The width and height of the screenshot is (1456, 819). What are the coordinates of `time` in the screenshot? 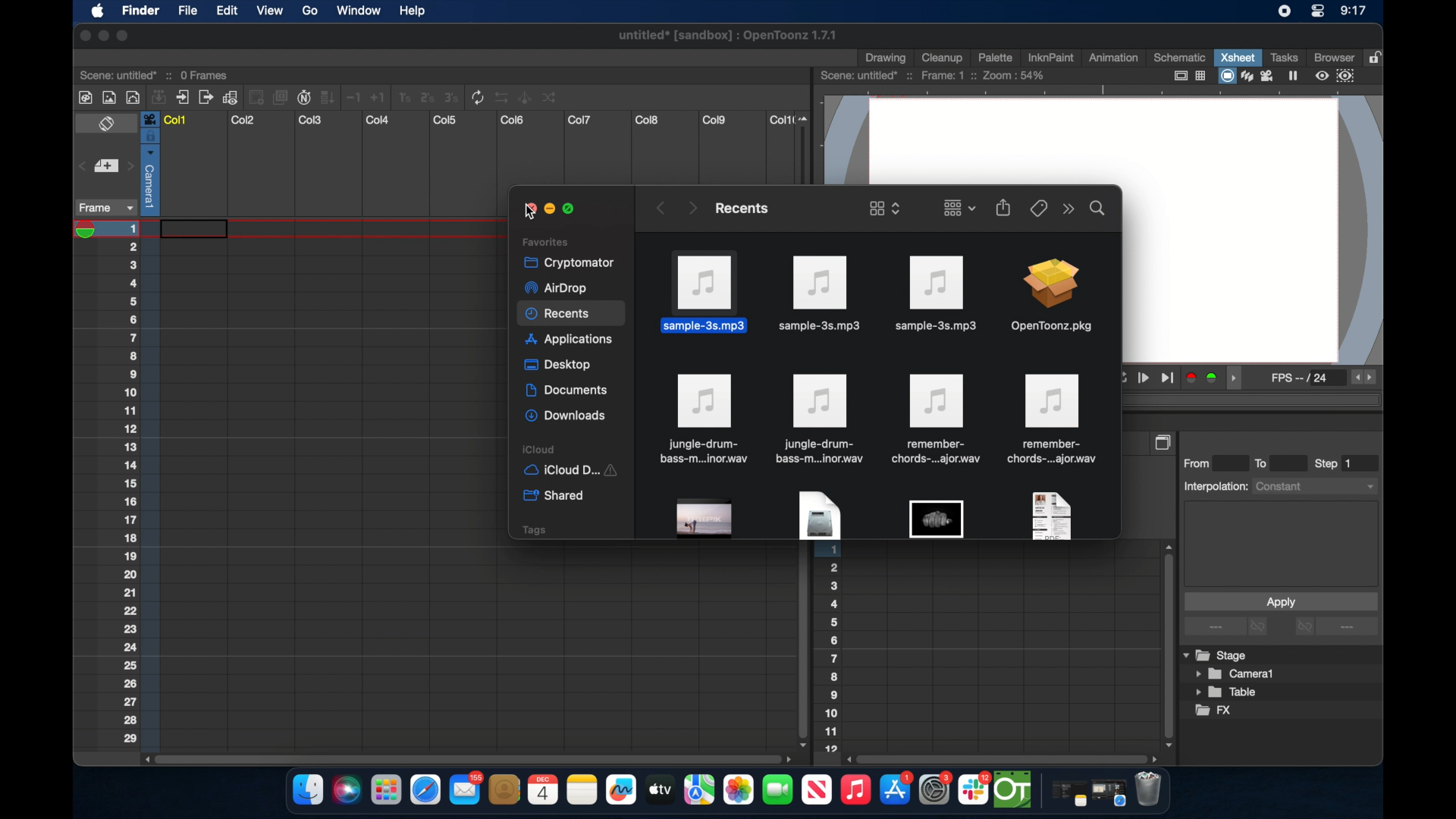 It's located at (1353, 12).